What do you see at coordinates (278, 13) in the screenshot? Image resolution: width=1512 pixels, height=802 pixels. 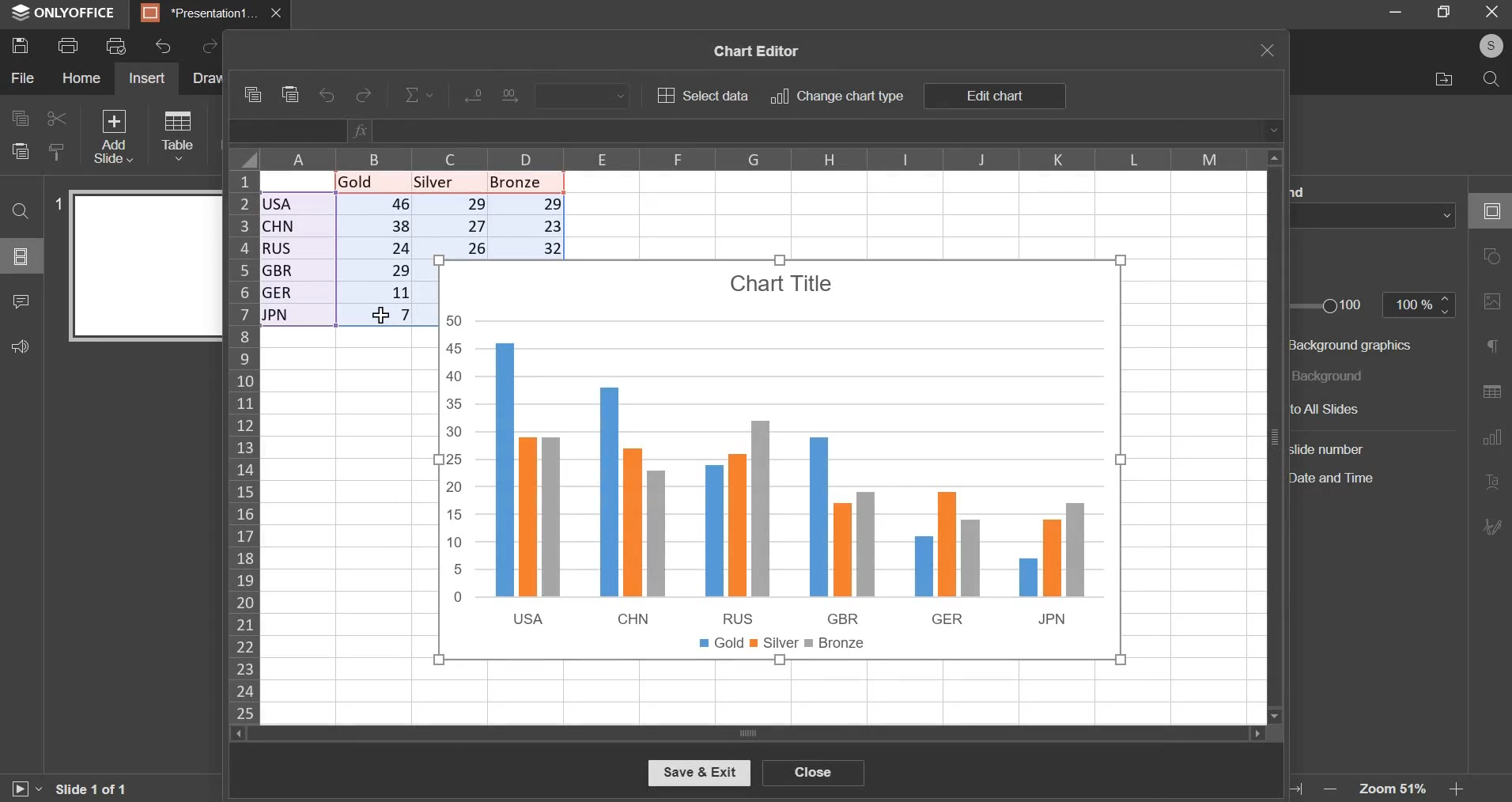 I see `close` at bounding box center [278, 13].